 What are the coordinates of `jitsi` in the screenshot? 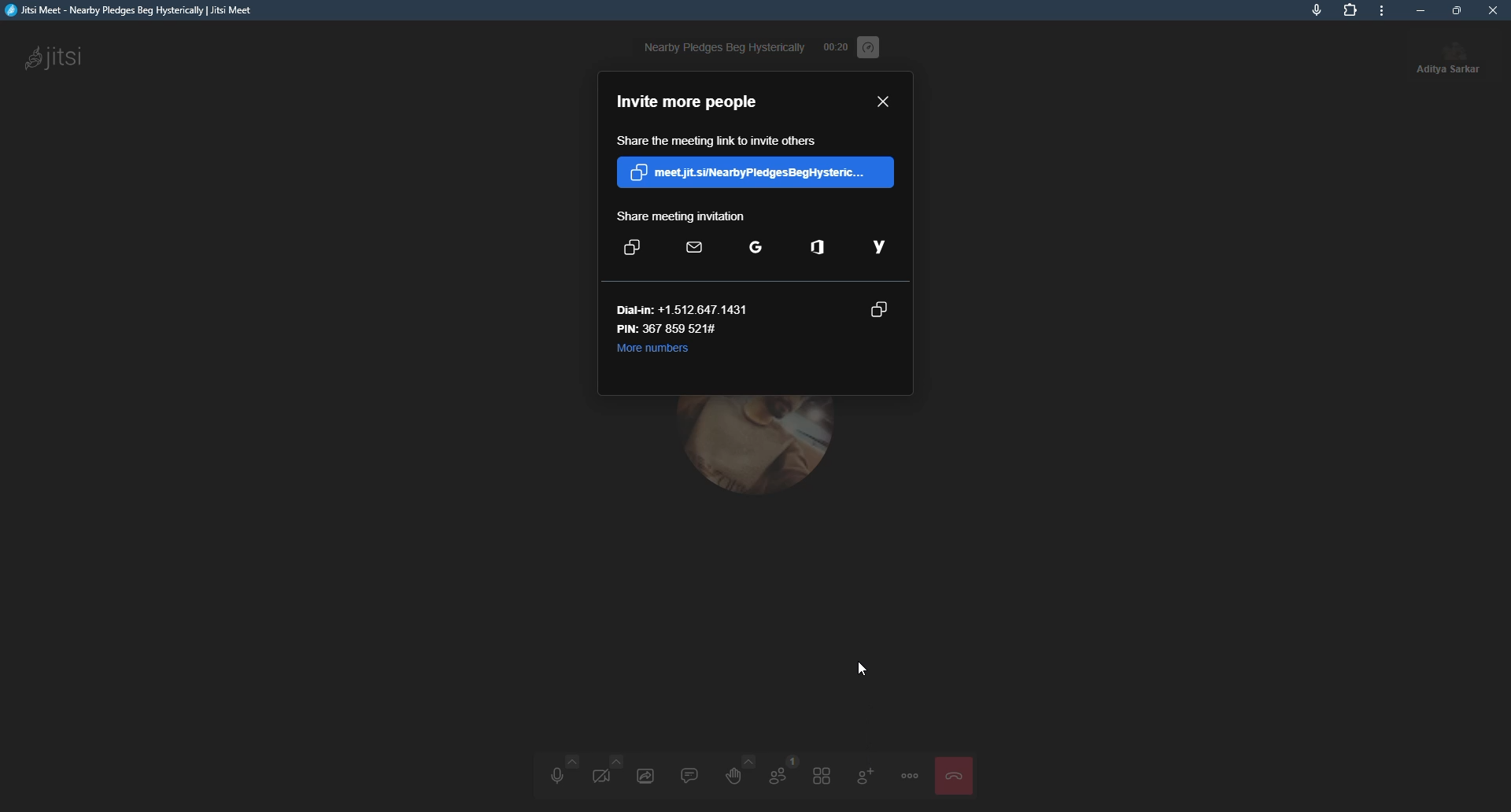 It's located at (130, 13).